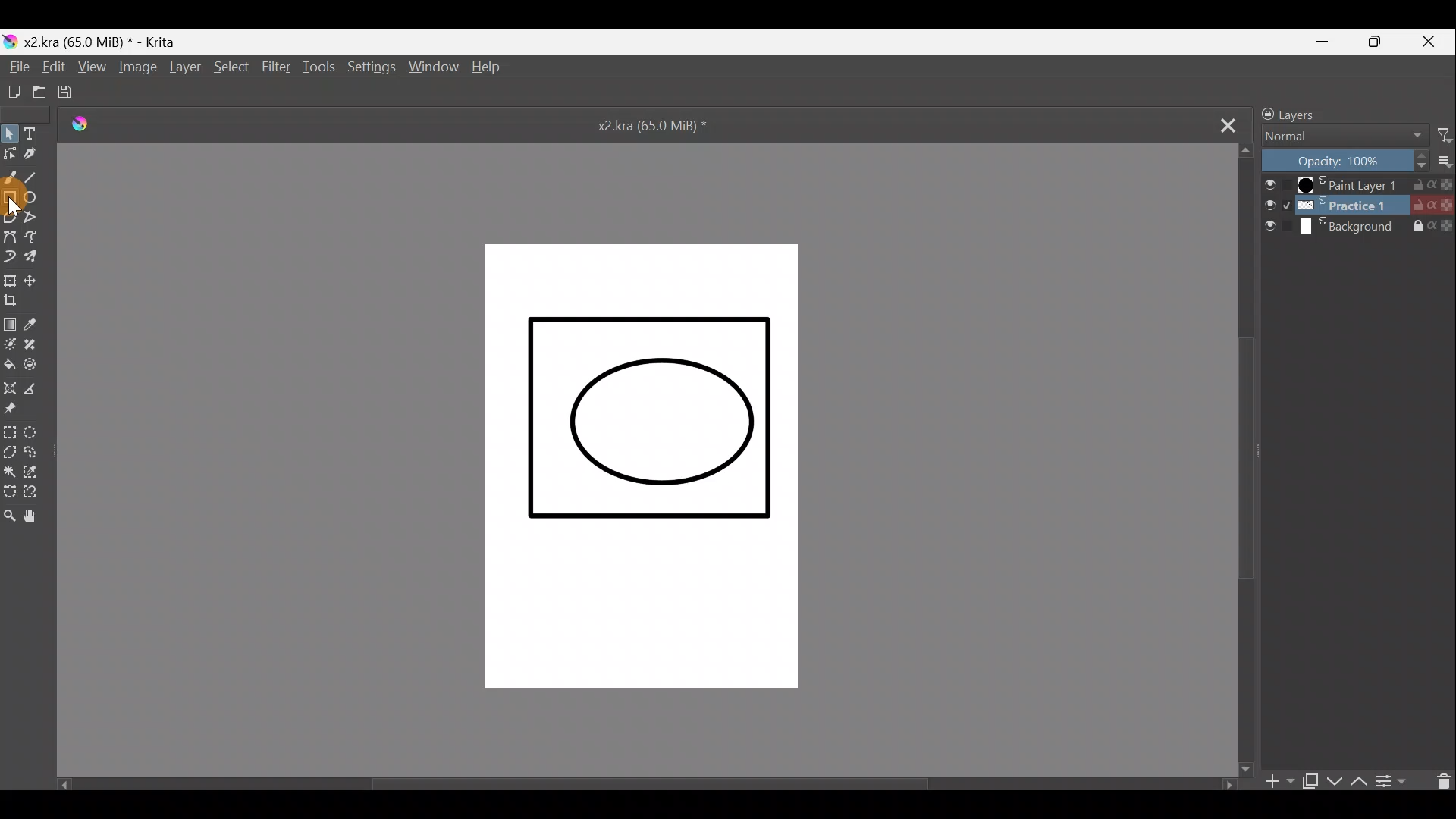  Describe the element at coordinates (37, 257) in the screenshot. I see `Multibrush tool` at that location.